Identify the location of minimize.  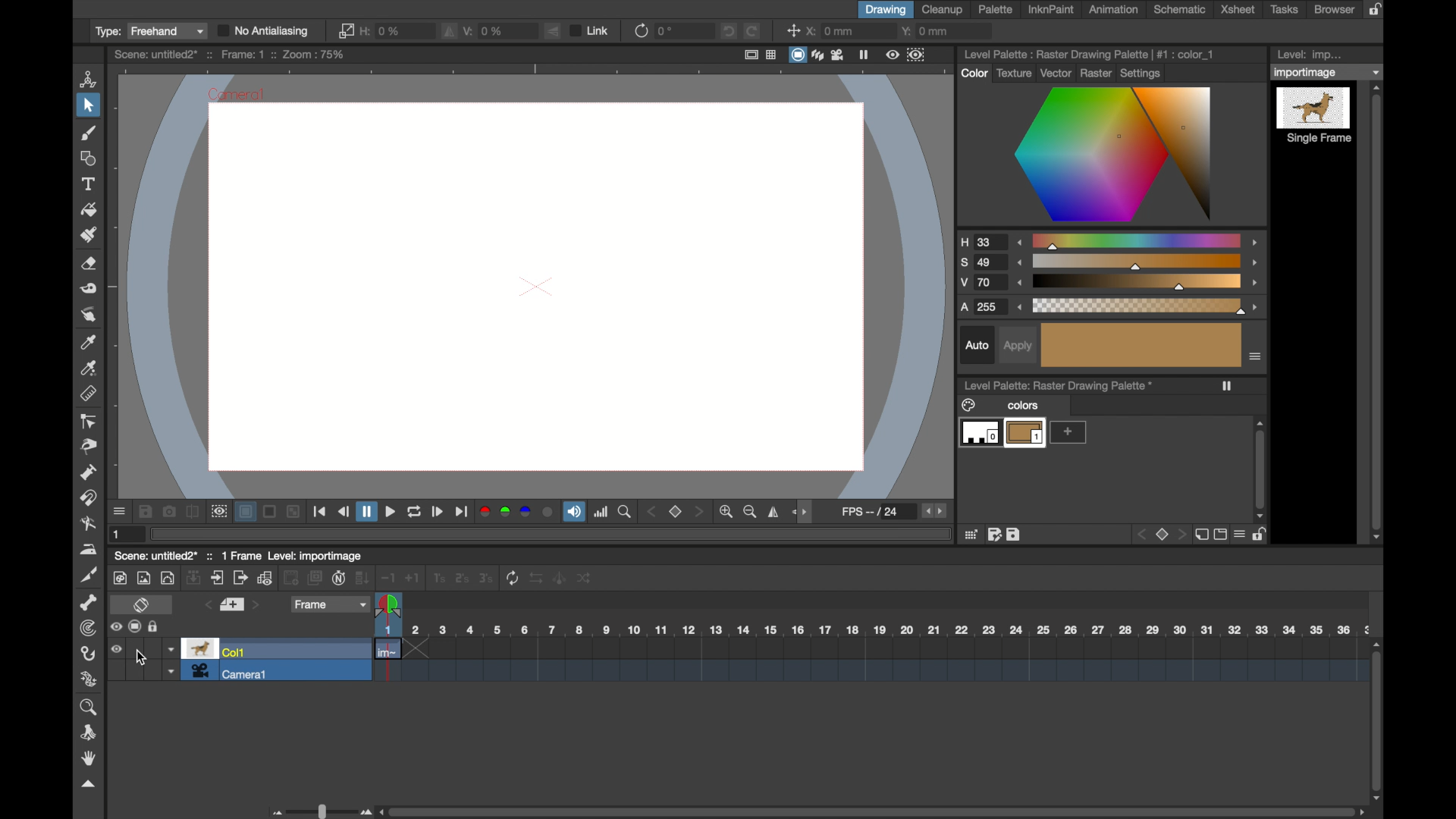
(293, 513).